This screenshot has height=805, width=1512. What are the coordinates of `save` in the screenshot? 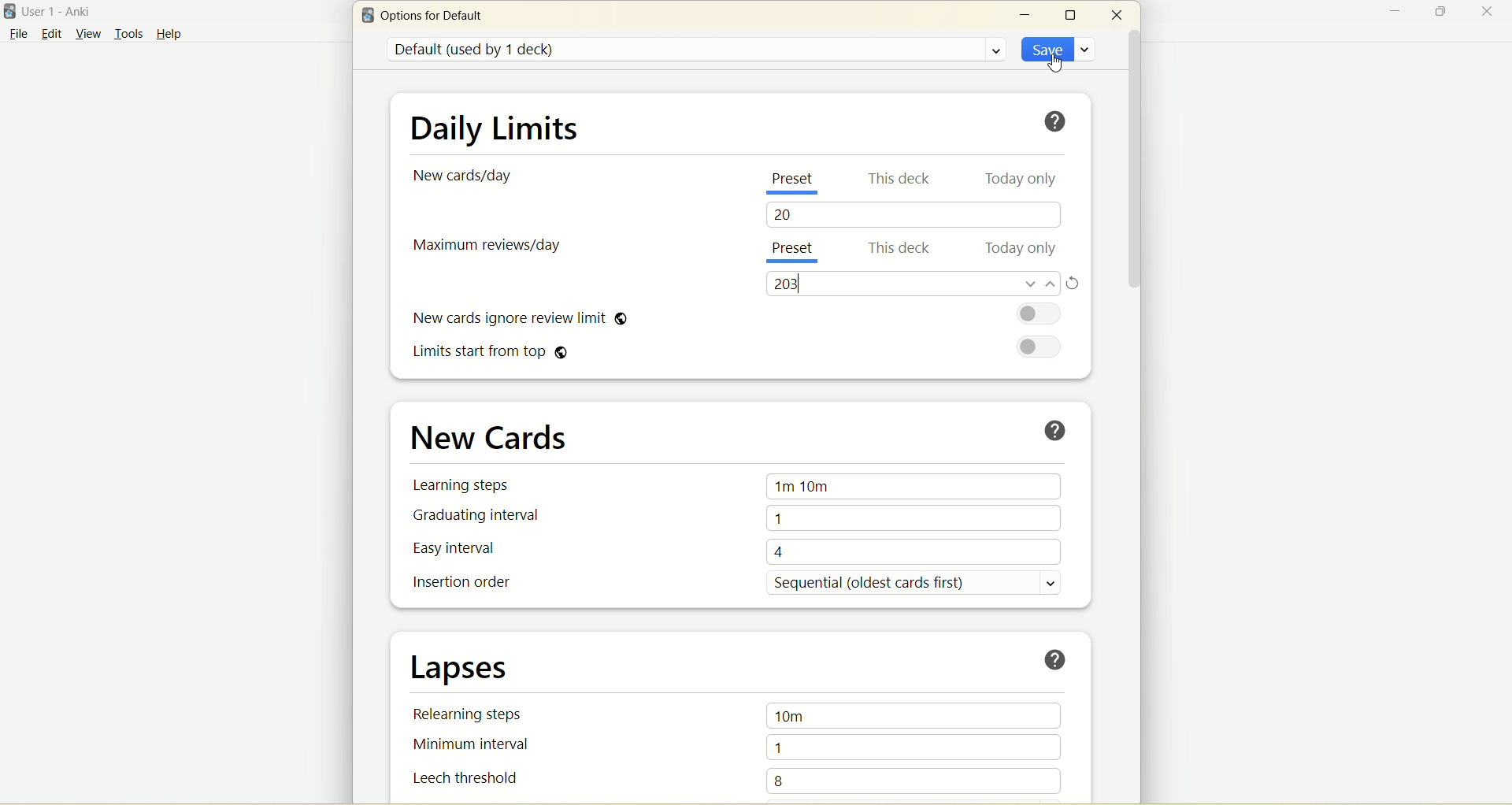 It's located at (1047, 50).